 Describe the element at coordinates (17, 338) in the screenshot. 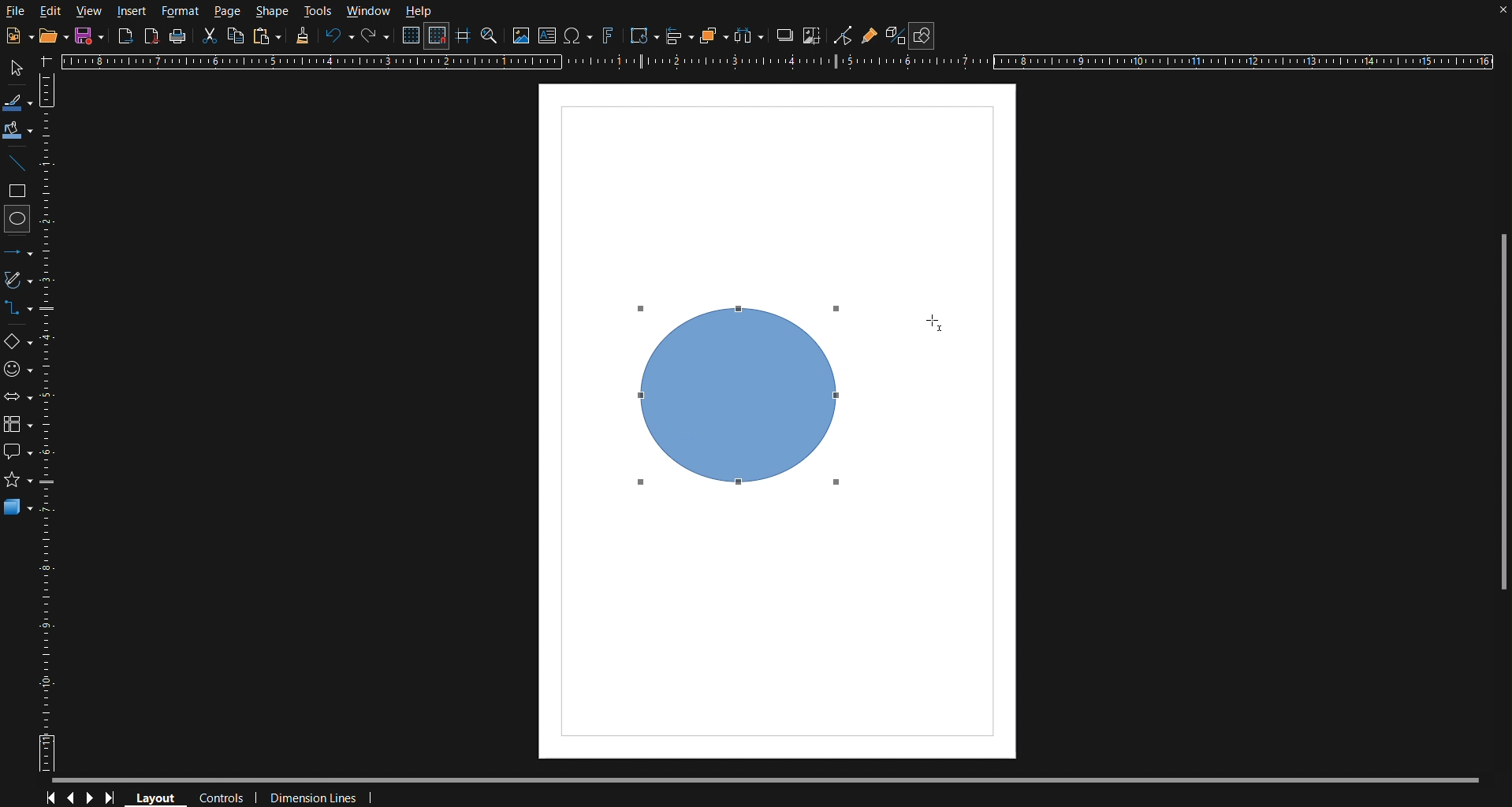

I see `Basic Shapes` at that location.